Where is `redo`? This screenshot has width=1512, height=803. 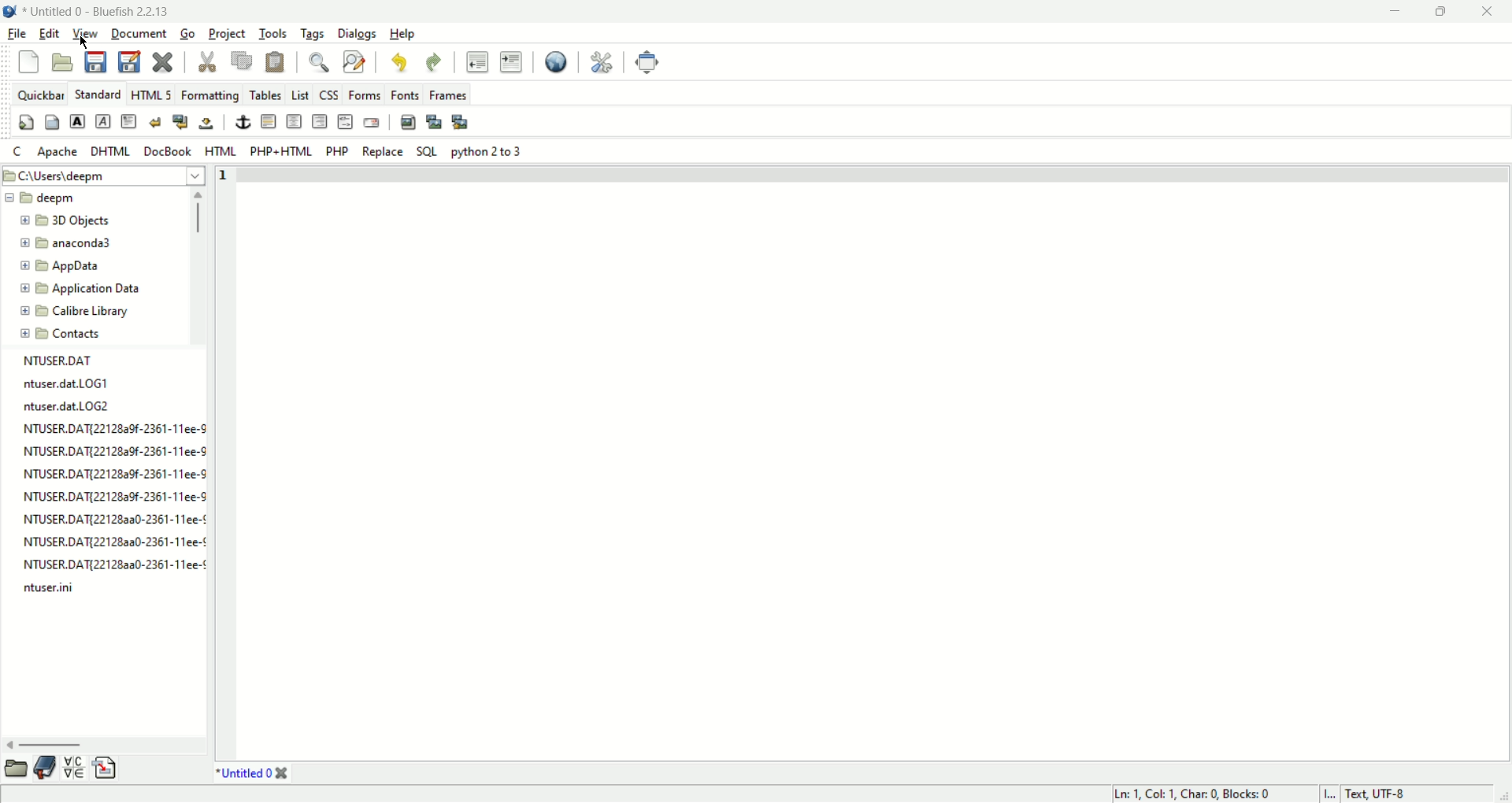 redo is located at coordinates (434, 64).